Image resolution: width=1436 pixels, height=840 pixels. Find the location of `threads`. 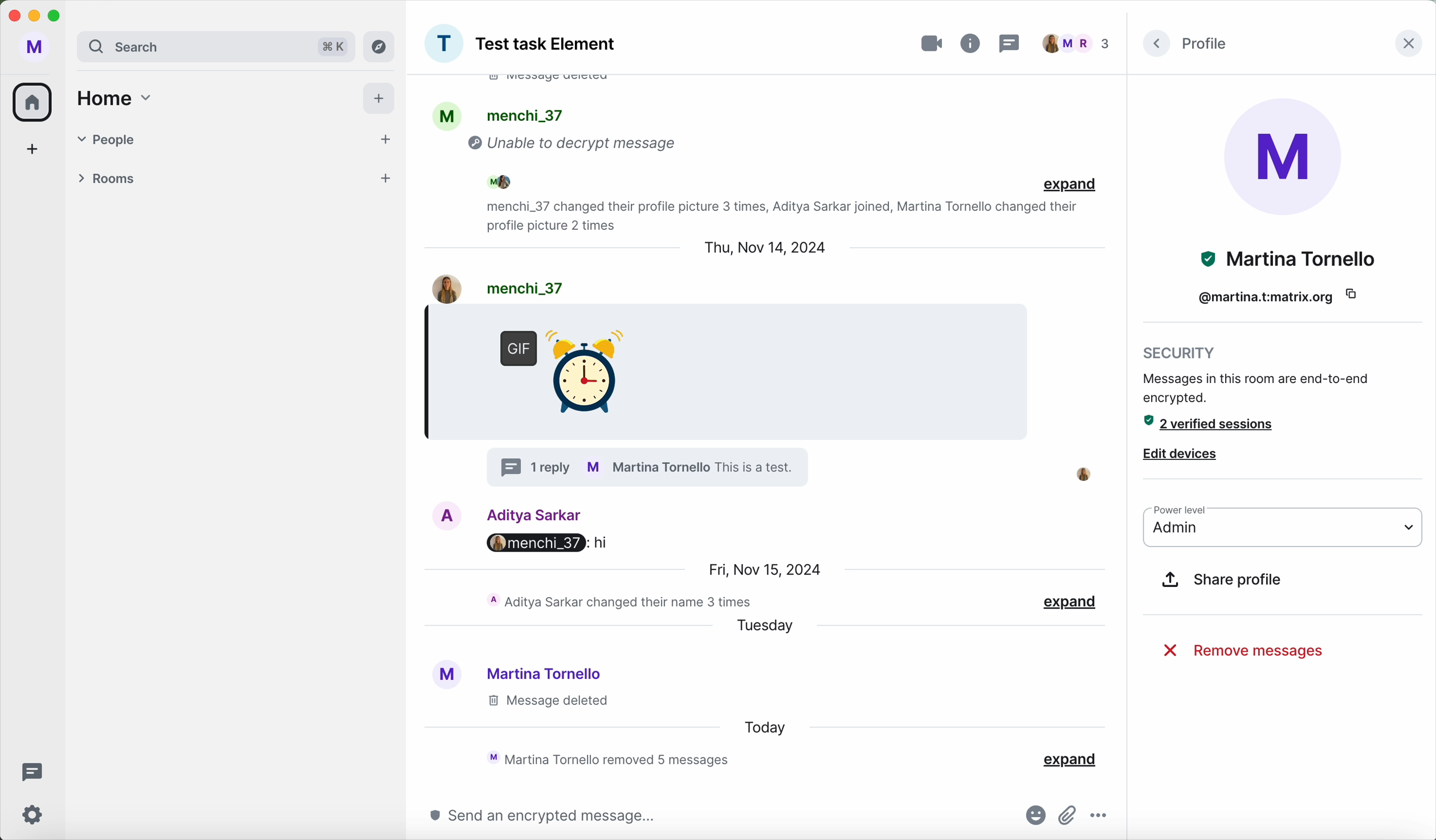

threads is located at coordinates (30, 770).